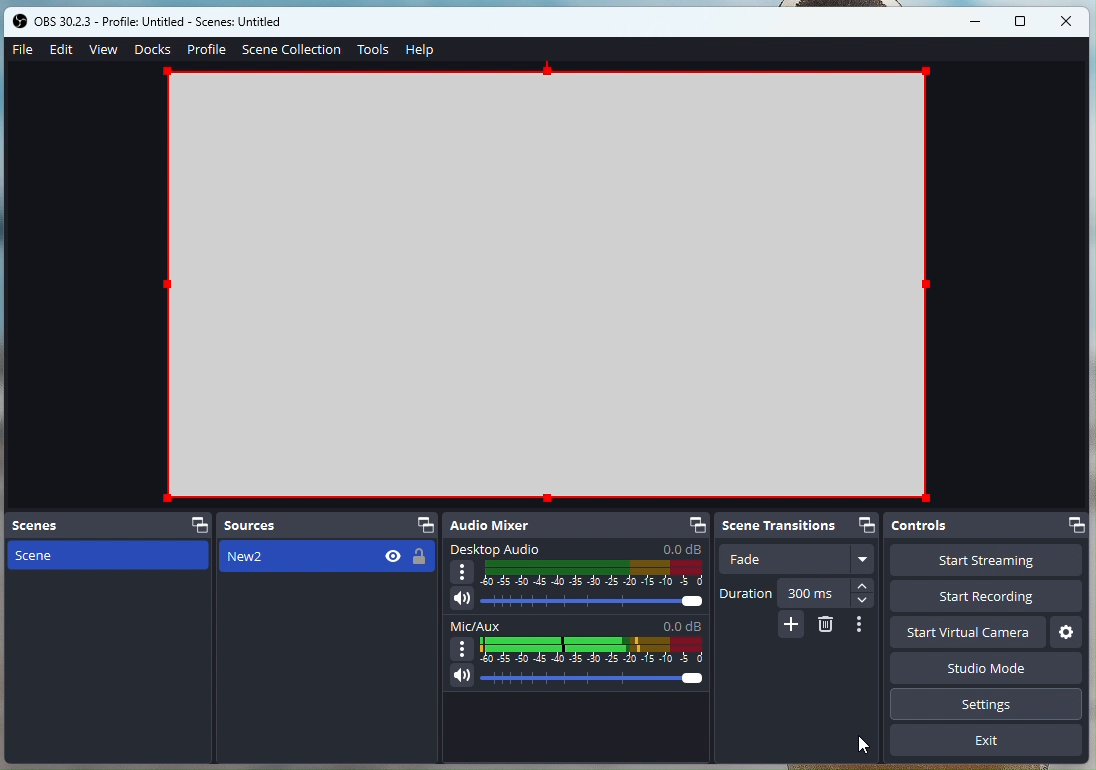  What do you see at coordinates (993, 703) in the screenshot?
I see `Serttings` at bounding box center [993, 703].